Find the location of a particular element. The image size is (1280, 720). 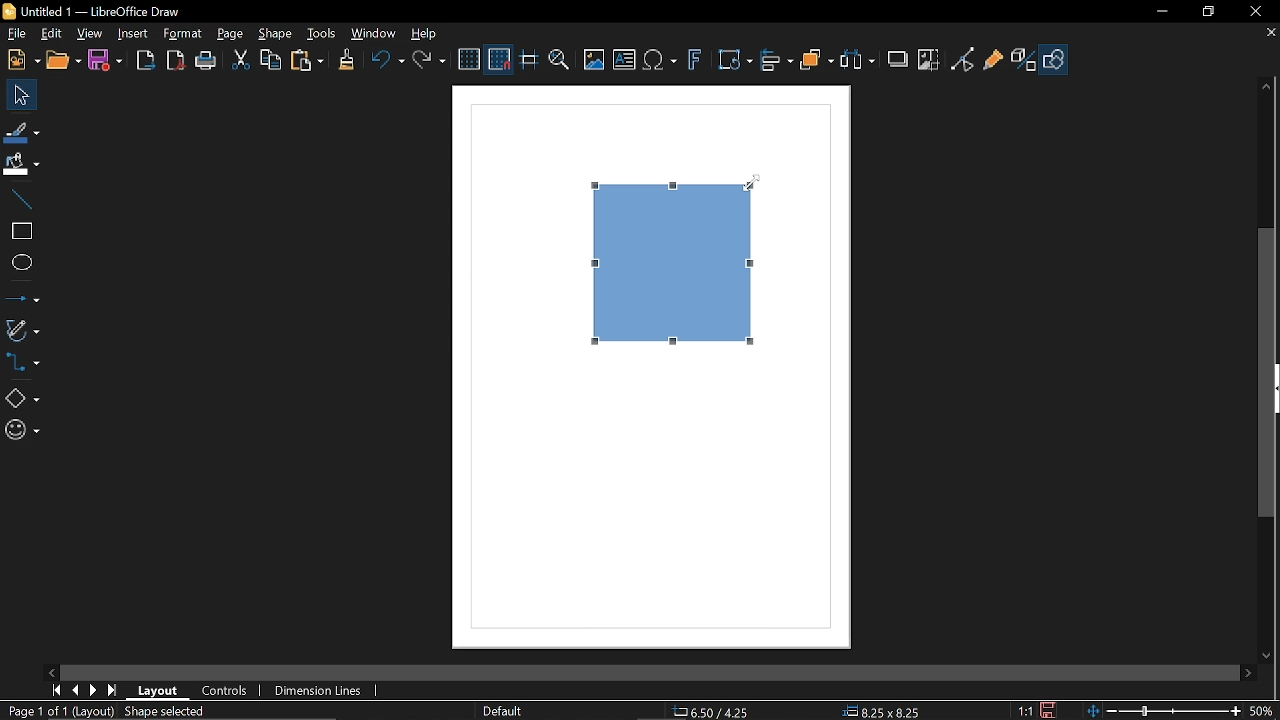

Layout is located at coordinates (157, 691).